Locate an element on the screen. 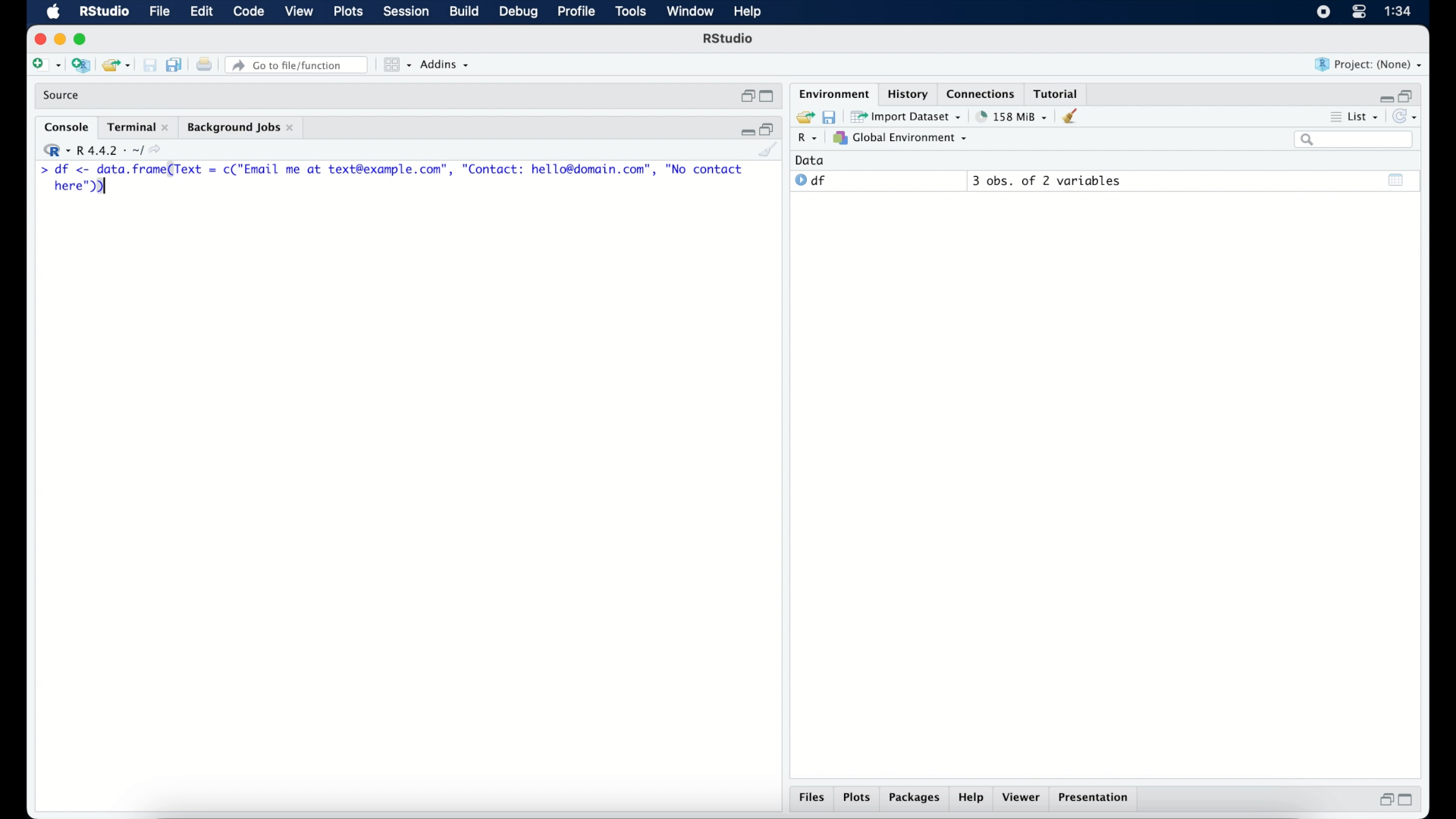 The width and height of the screenshot is (1456, 819). print is located at coordinates (149, 64).